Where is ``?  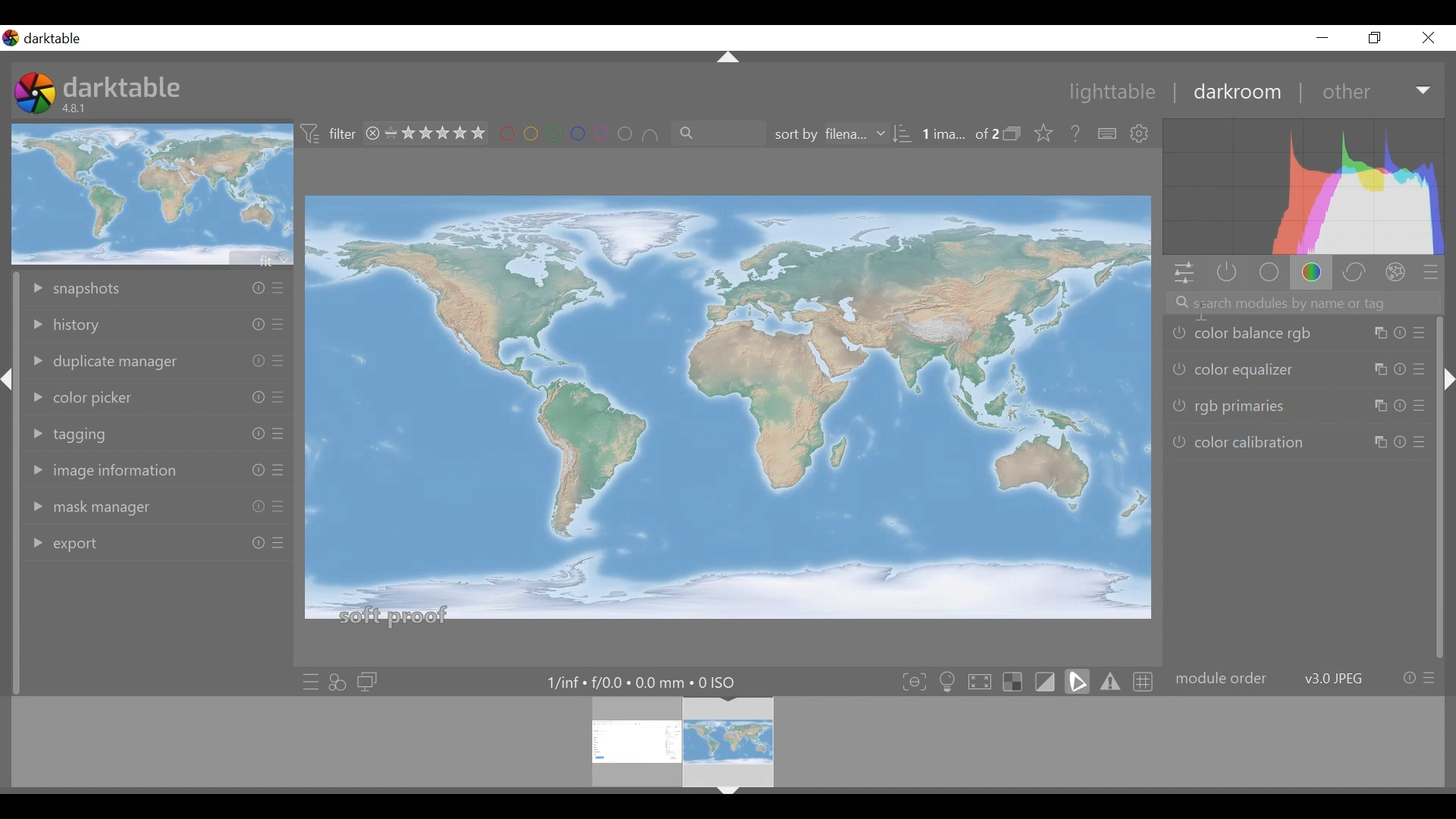  is located at coordinates (278, 435).